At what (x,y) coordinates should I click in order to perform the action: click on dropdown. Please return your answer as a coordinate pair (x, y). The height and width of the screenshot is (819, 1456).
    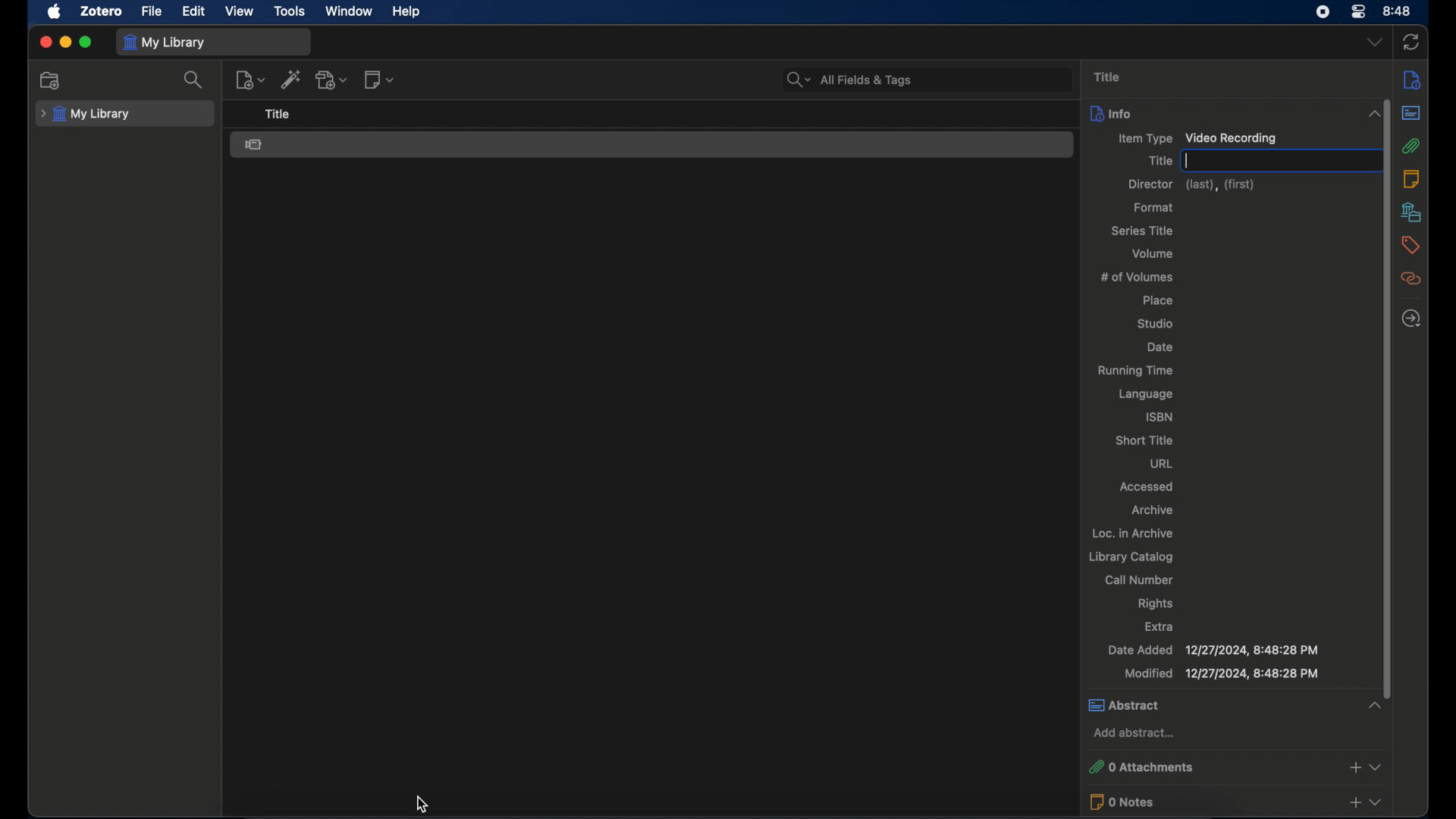
    Looking at the image, I should click on (1375, 43).